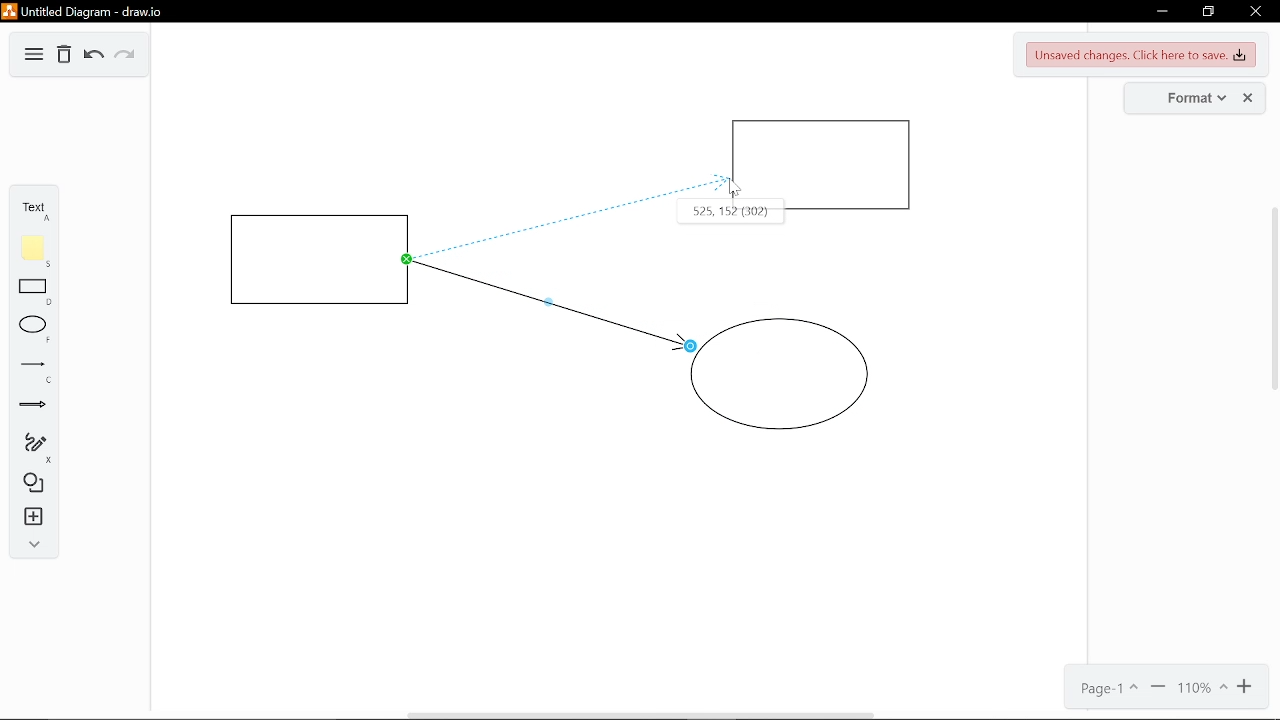 The width and height of the screenshot is (1280, 720). What do you see at coordinates (734, 188) in the screenshot?
I see `Pointer` at bounding box center [734, 188].